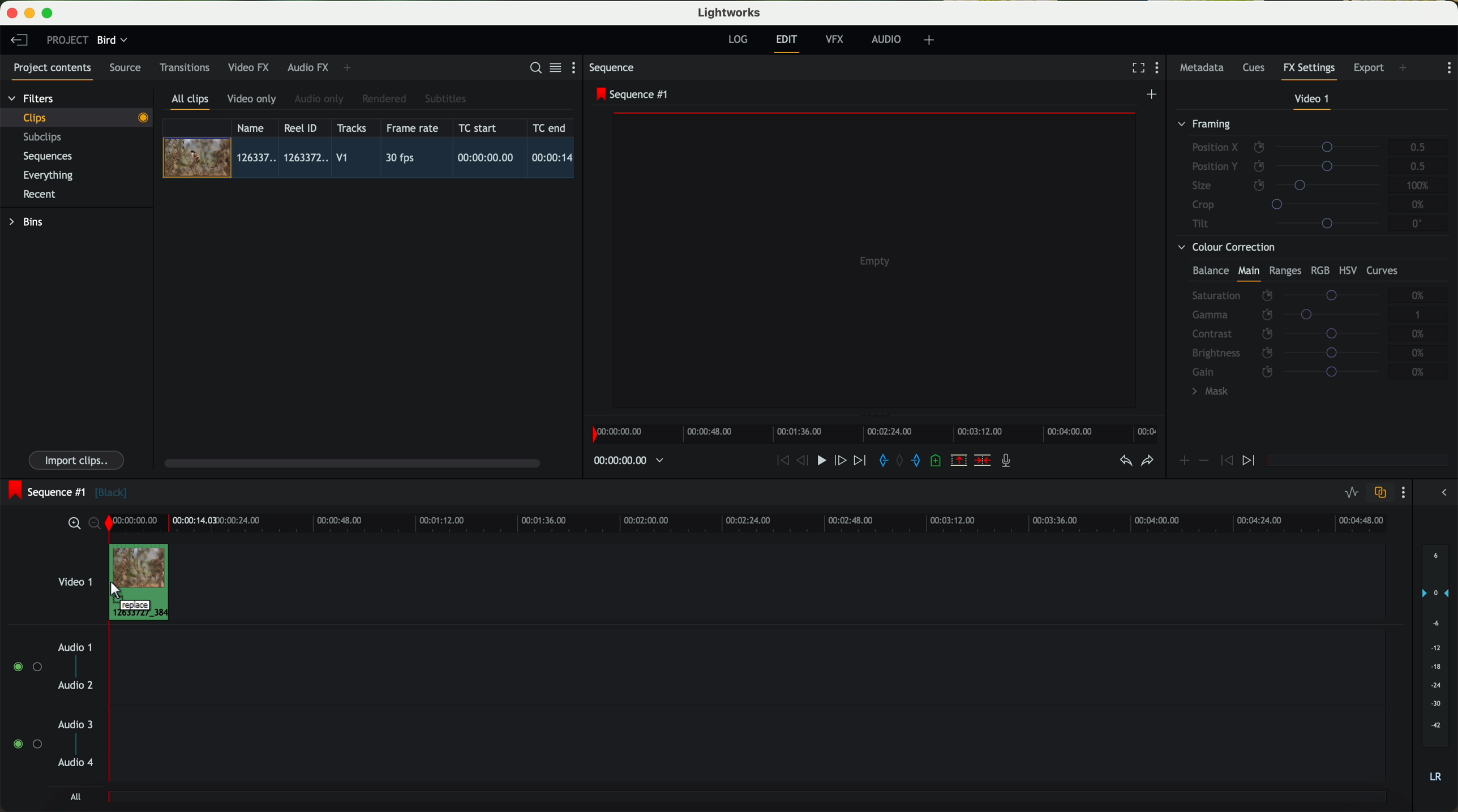 This screenshot has height=812, width=1458. What do you see at coordinates (73, 581) in the screenshot?
I see `video 1` at bounding box center [73, 581].